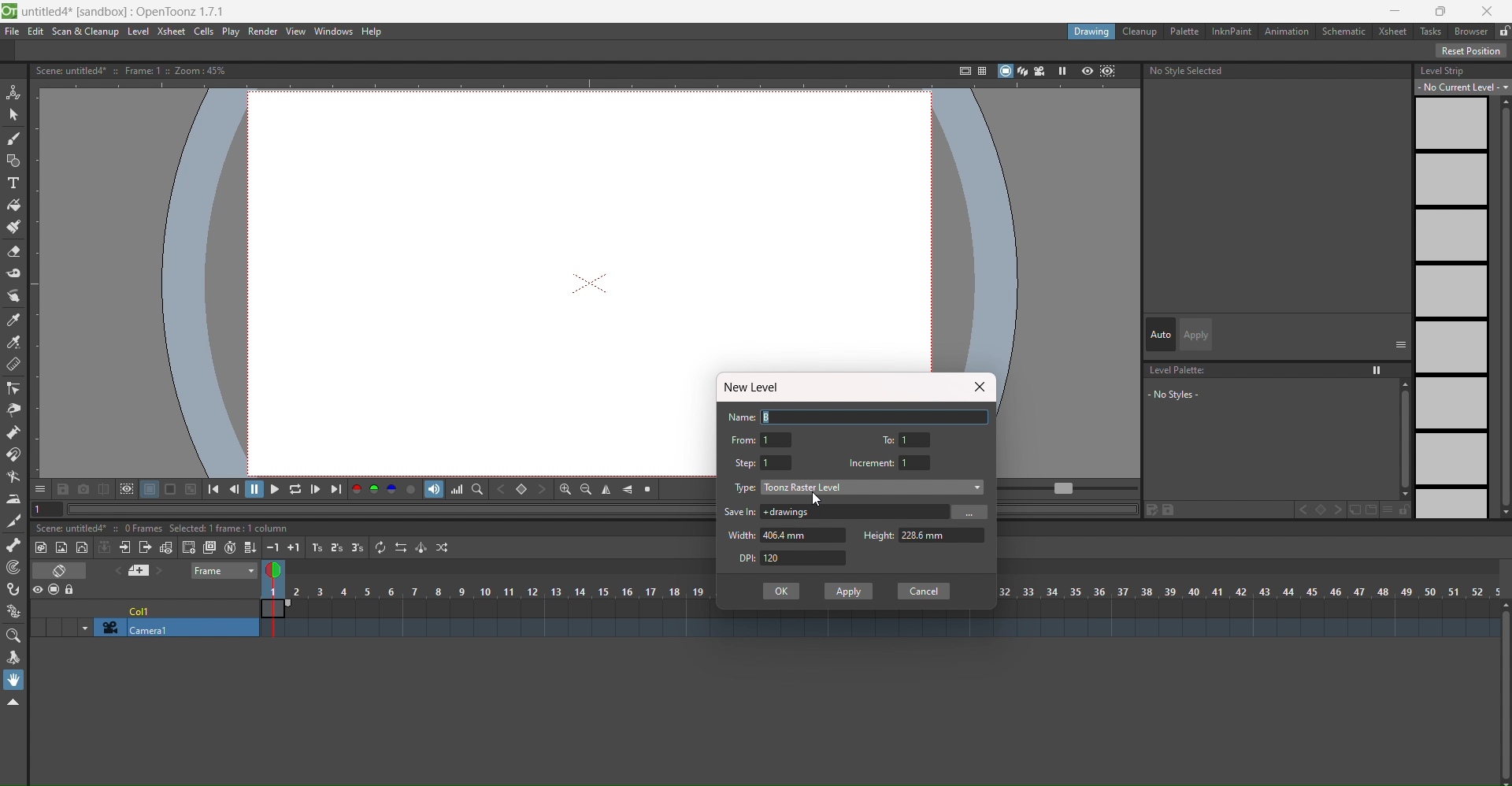  Describe the element at coordinates (1390, 30) in the screenshot. I see `xsheet` at that location.